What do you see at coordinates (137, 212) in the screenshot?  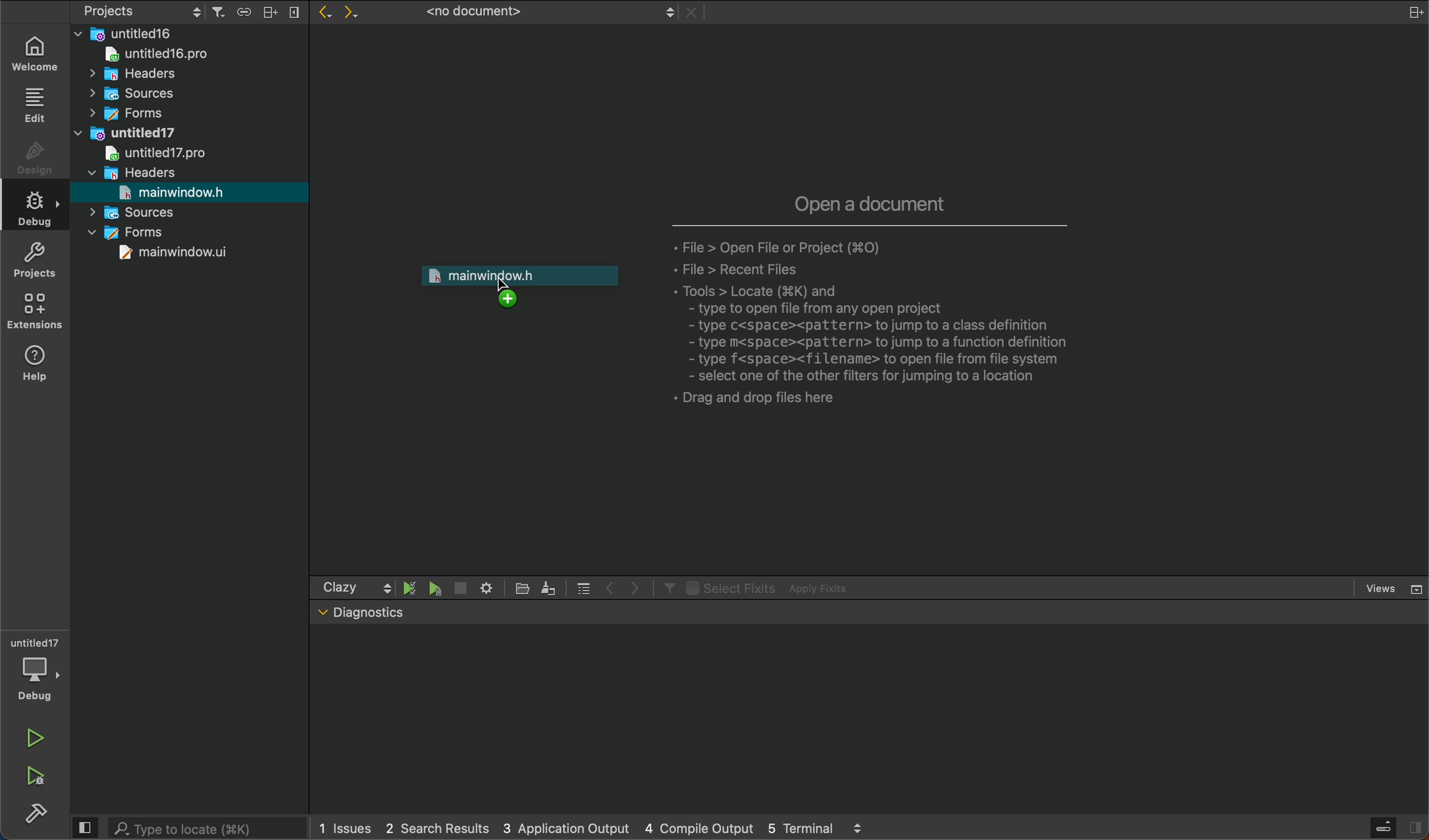 I see `Sources` at bounding box center [137, 212].